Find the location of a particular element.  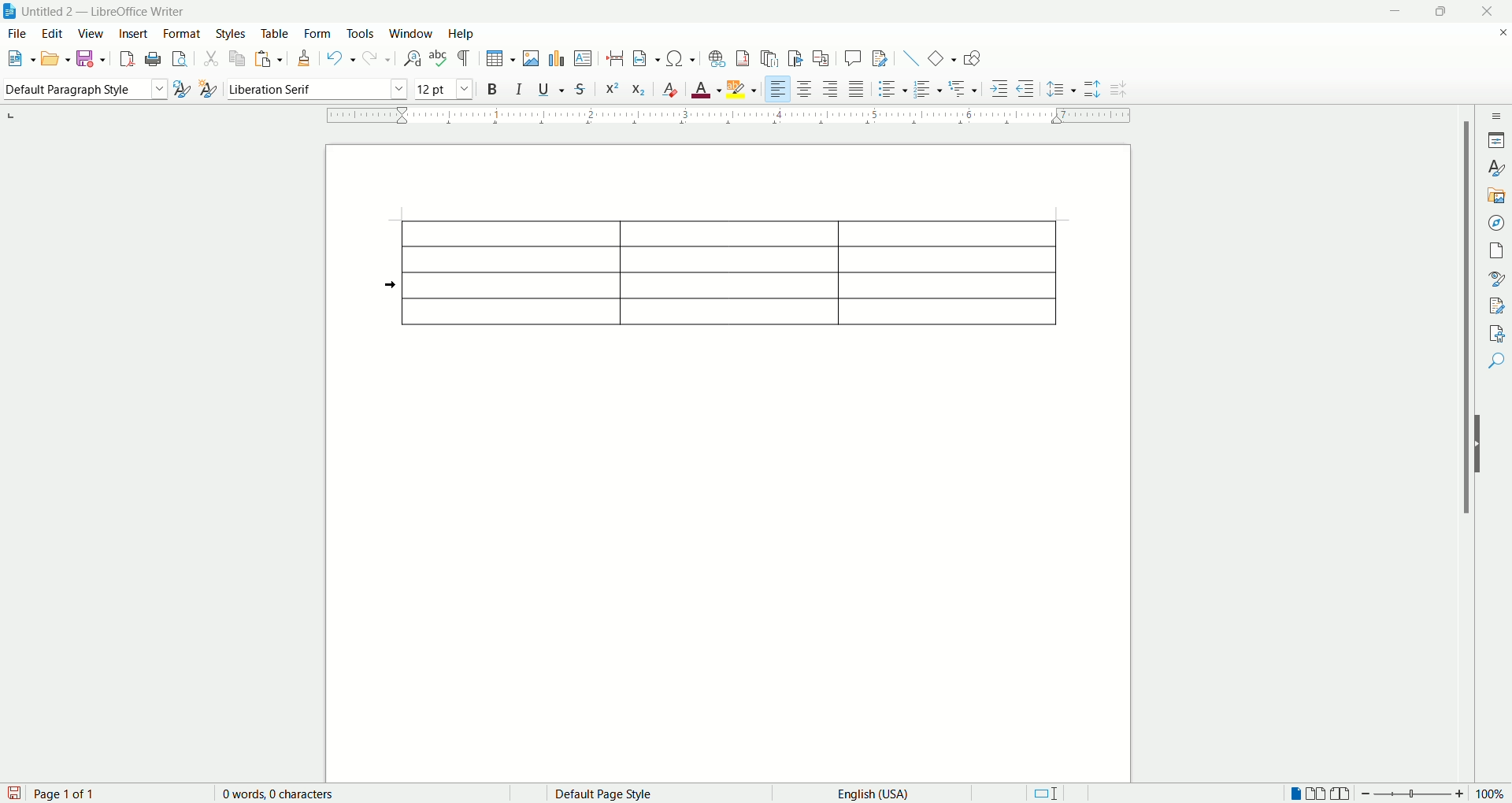

insert comment is located at coordinates (583, 58).